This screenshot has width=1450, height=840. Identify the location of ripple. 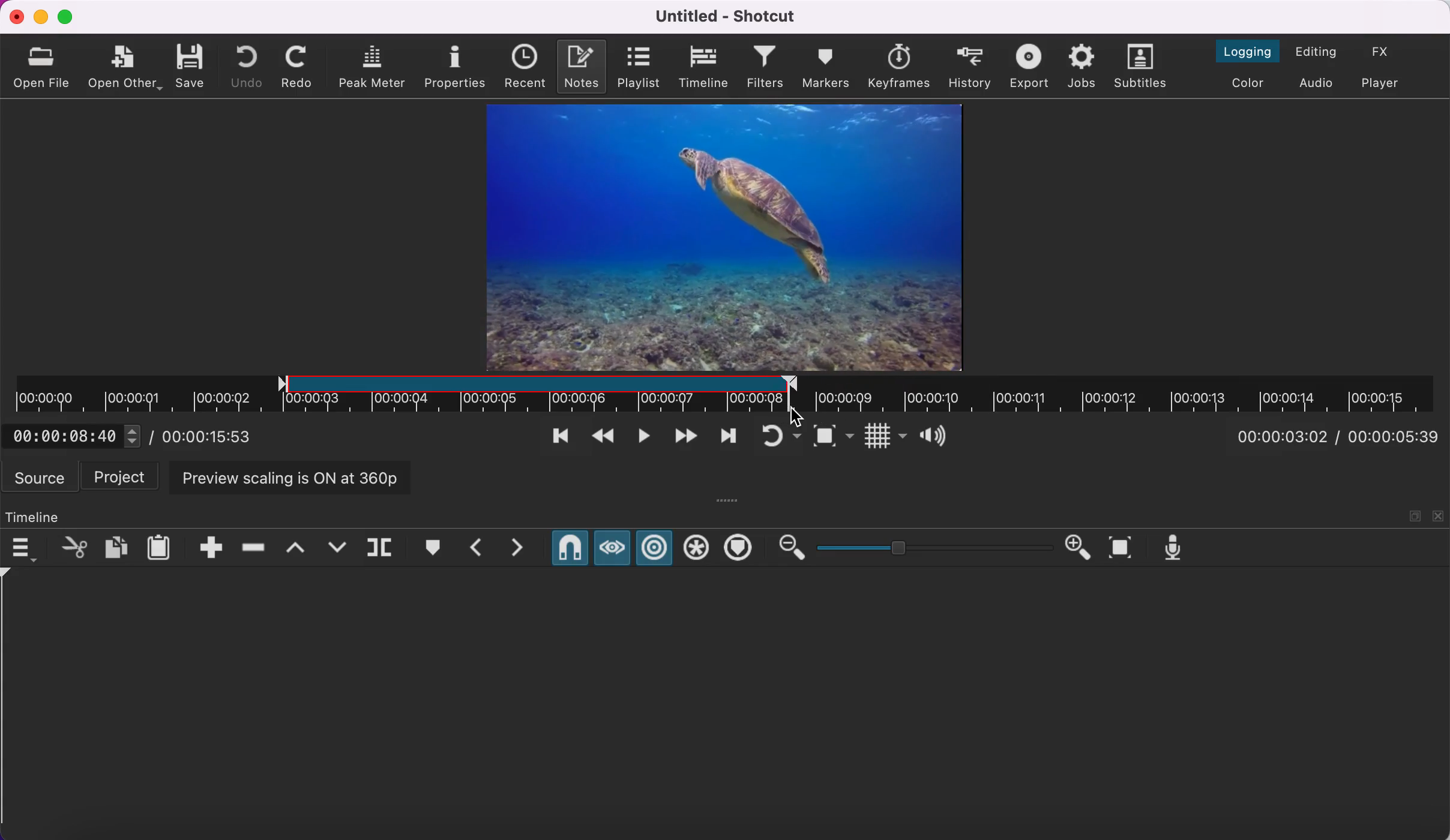
(655, 547).